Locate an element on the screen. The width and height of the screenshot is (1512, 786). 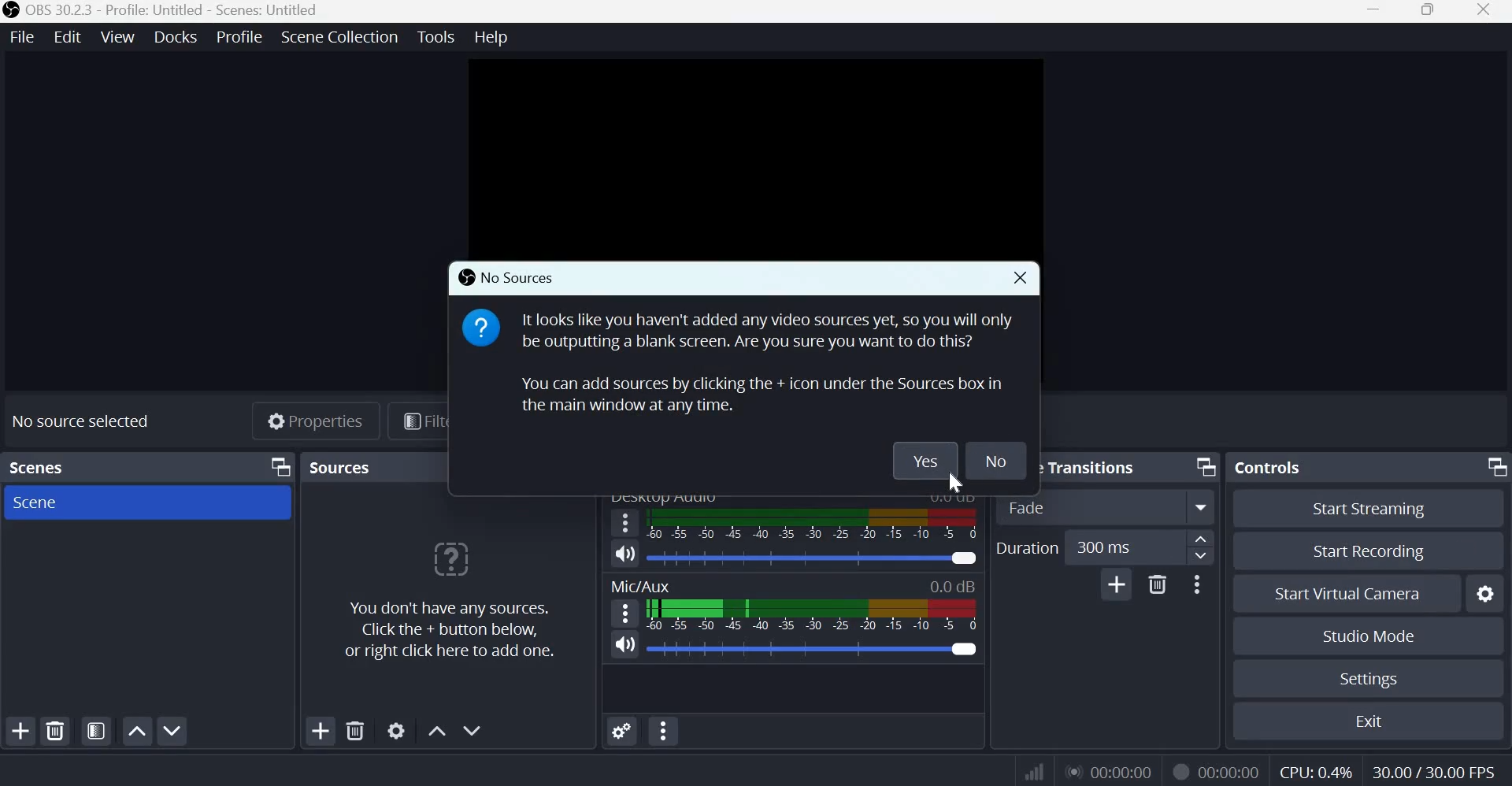
Recording Status Icon is located at coordinates (1179, 769).